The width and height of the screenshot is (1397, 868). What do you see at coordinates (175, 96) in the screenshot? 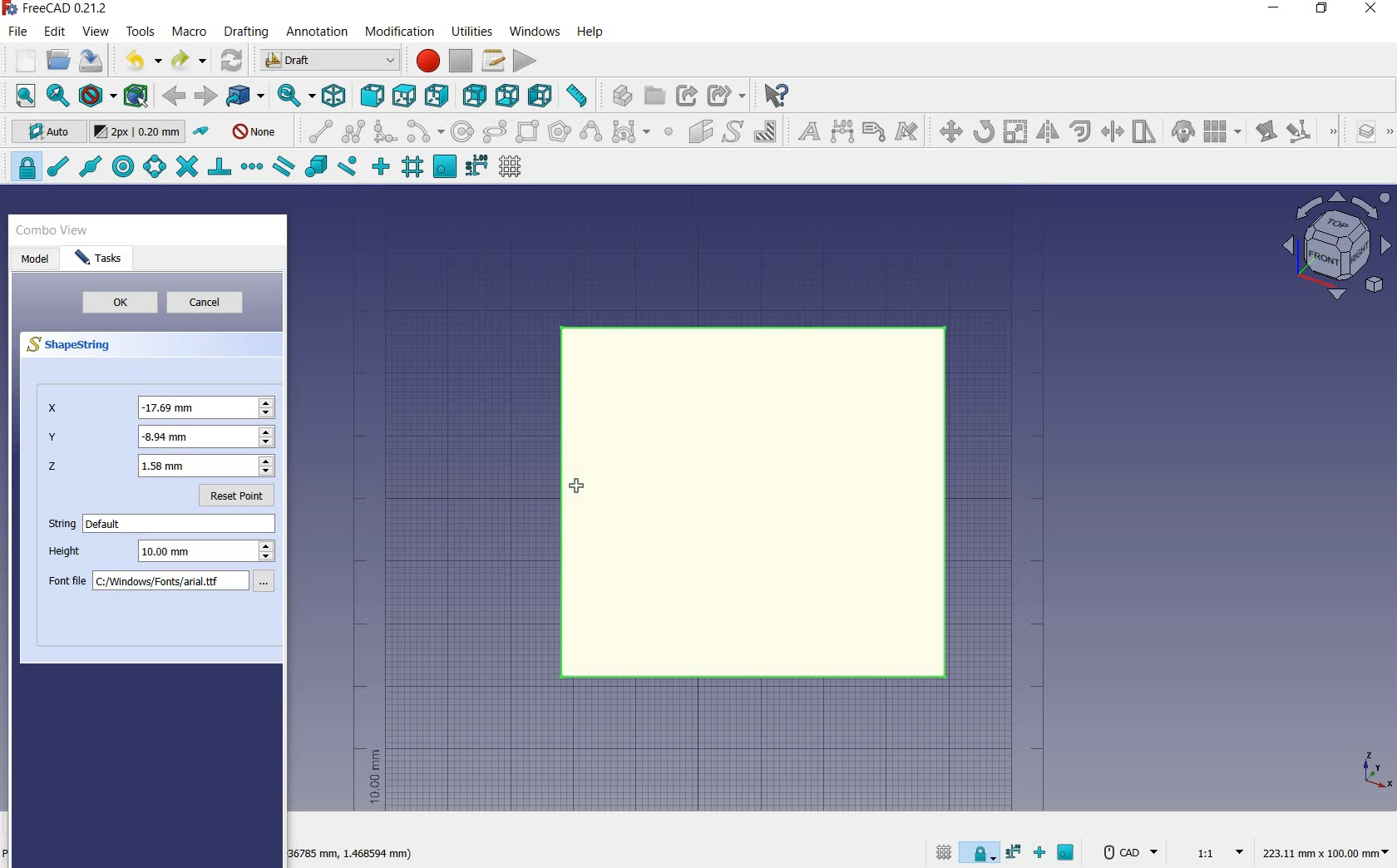
I see `back` at bounding box center [175, 96].